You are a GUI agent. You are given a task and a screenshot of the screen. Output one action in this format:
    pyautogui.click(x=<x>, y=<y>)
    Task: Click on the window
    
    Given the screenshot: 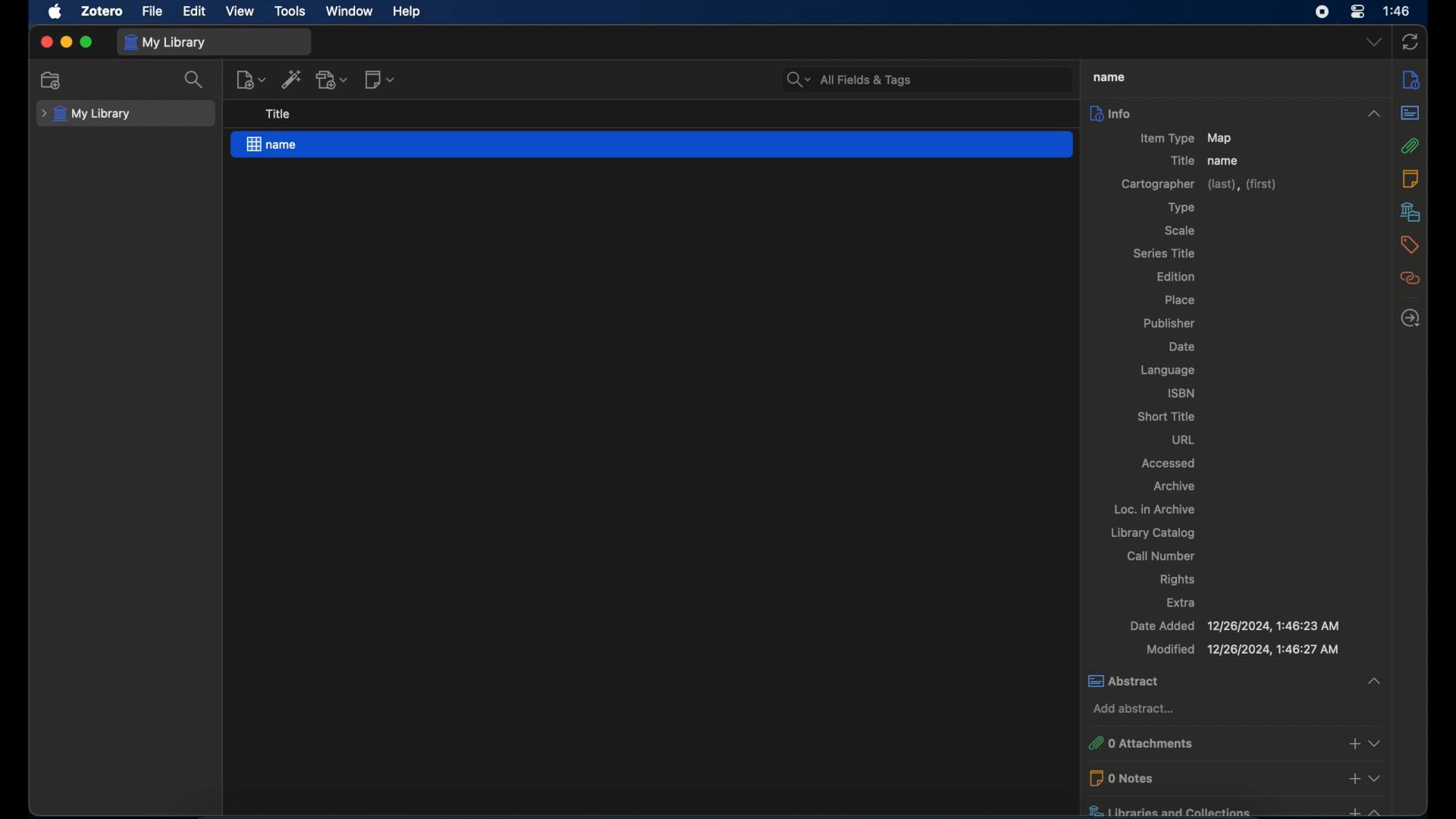 What is the action you would take?
    pyautogui.click(x=350, y=10)
    